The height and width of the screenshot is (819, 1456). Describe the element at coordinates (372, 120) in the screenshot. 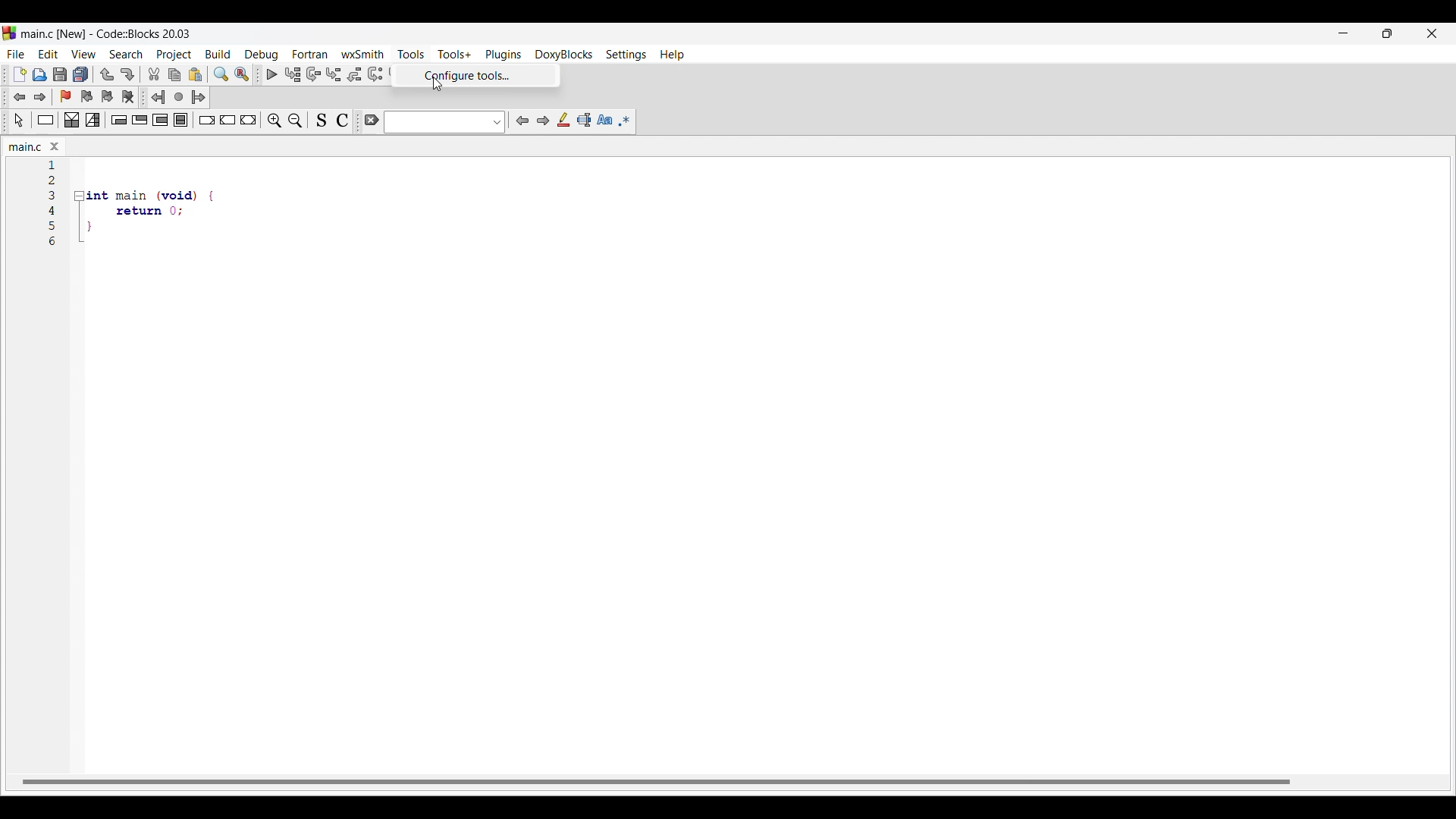

I see `Clear` at that location.